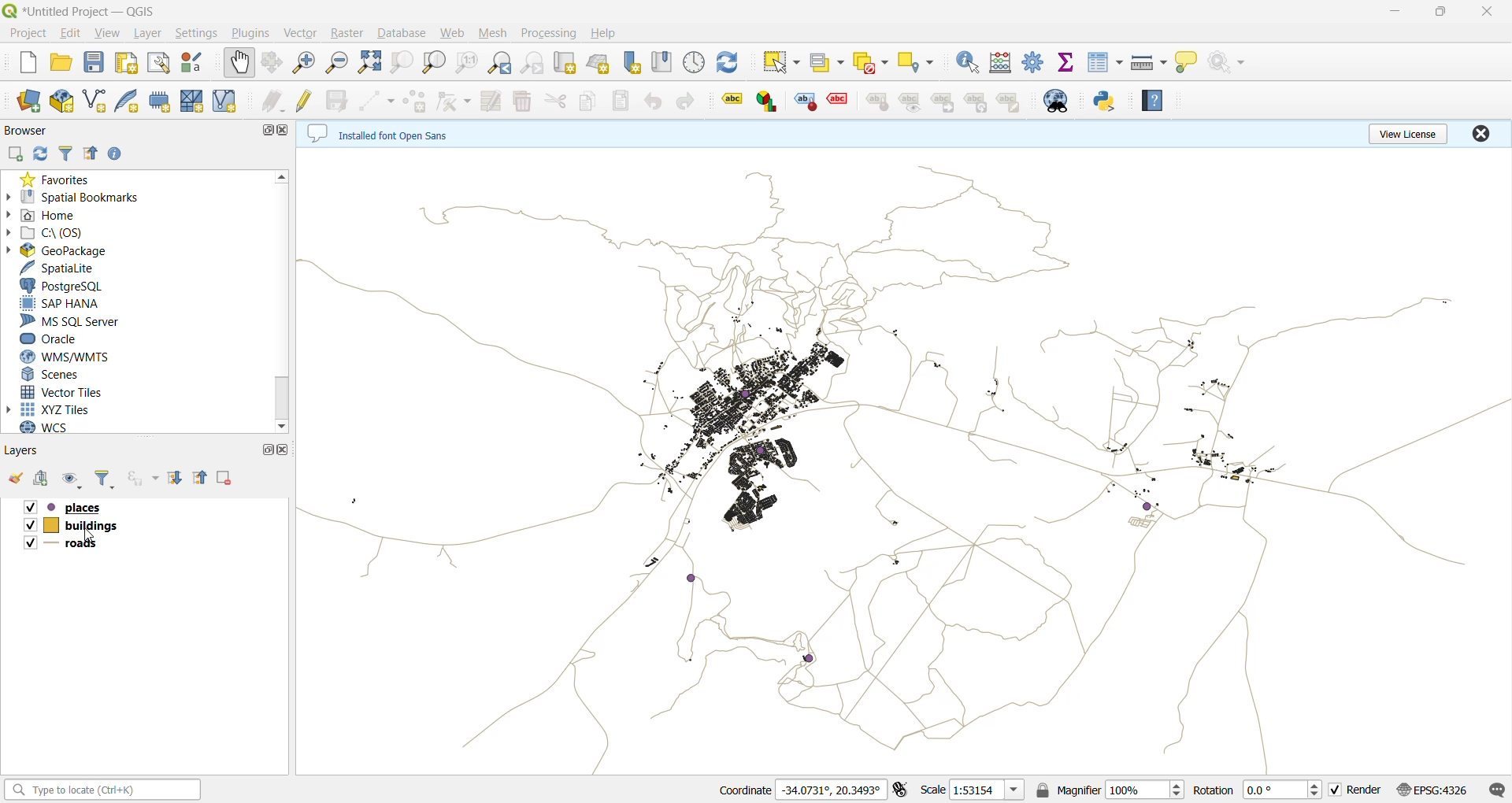  Describe the element at coordinates (567, 63) in the screenshot. I see `new map view` at that location.